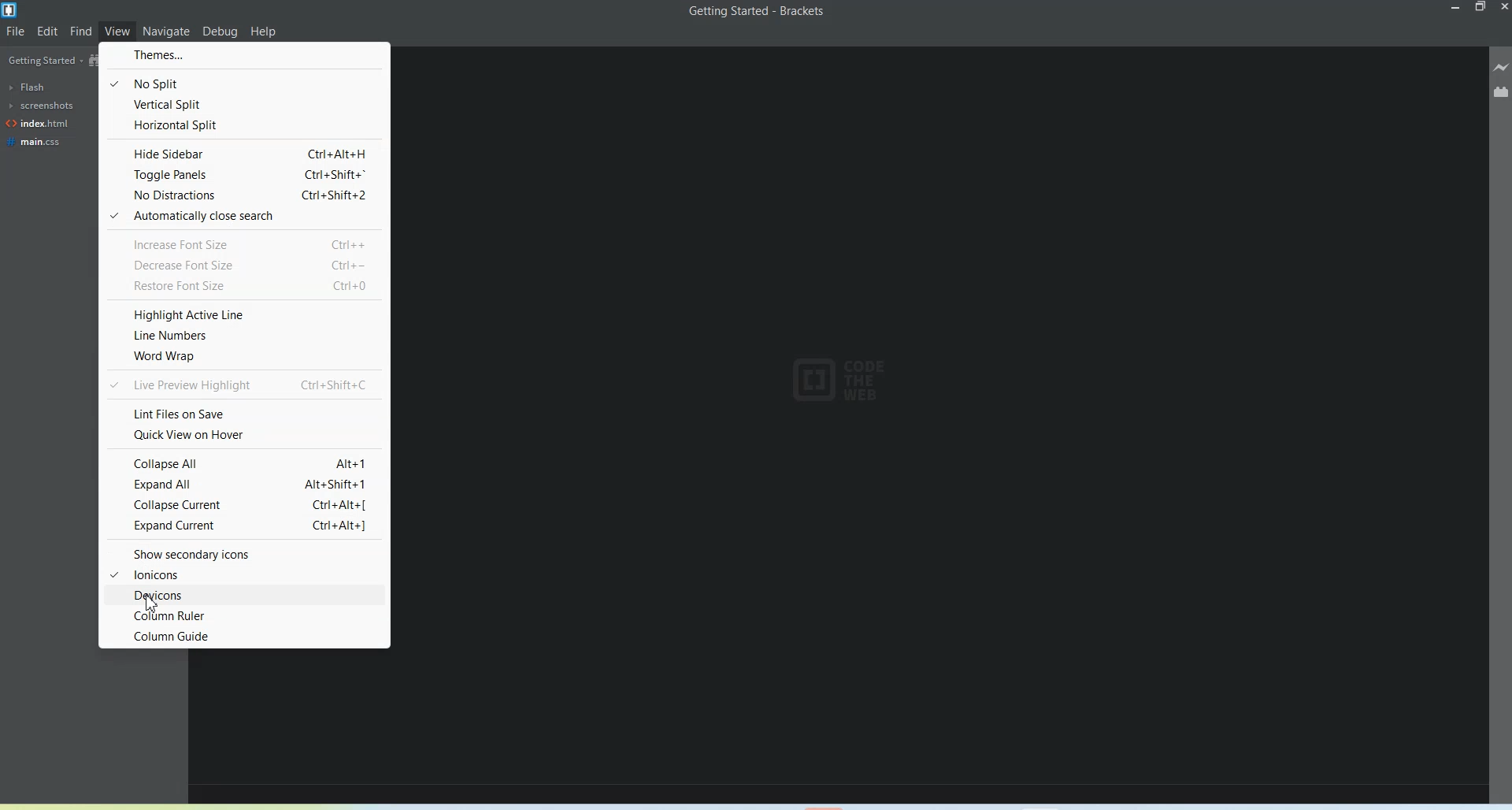  Describe the element at coordinates (16, 32) in the screenshot. I see `File` at that location.